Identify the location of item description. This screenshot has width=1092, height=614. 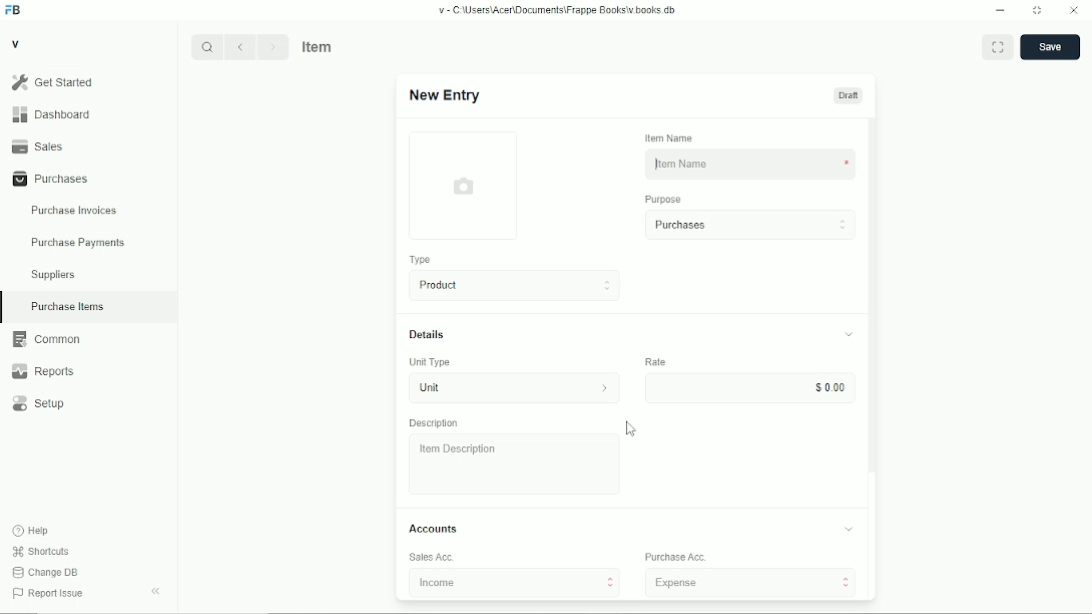
(515, 464).